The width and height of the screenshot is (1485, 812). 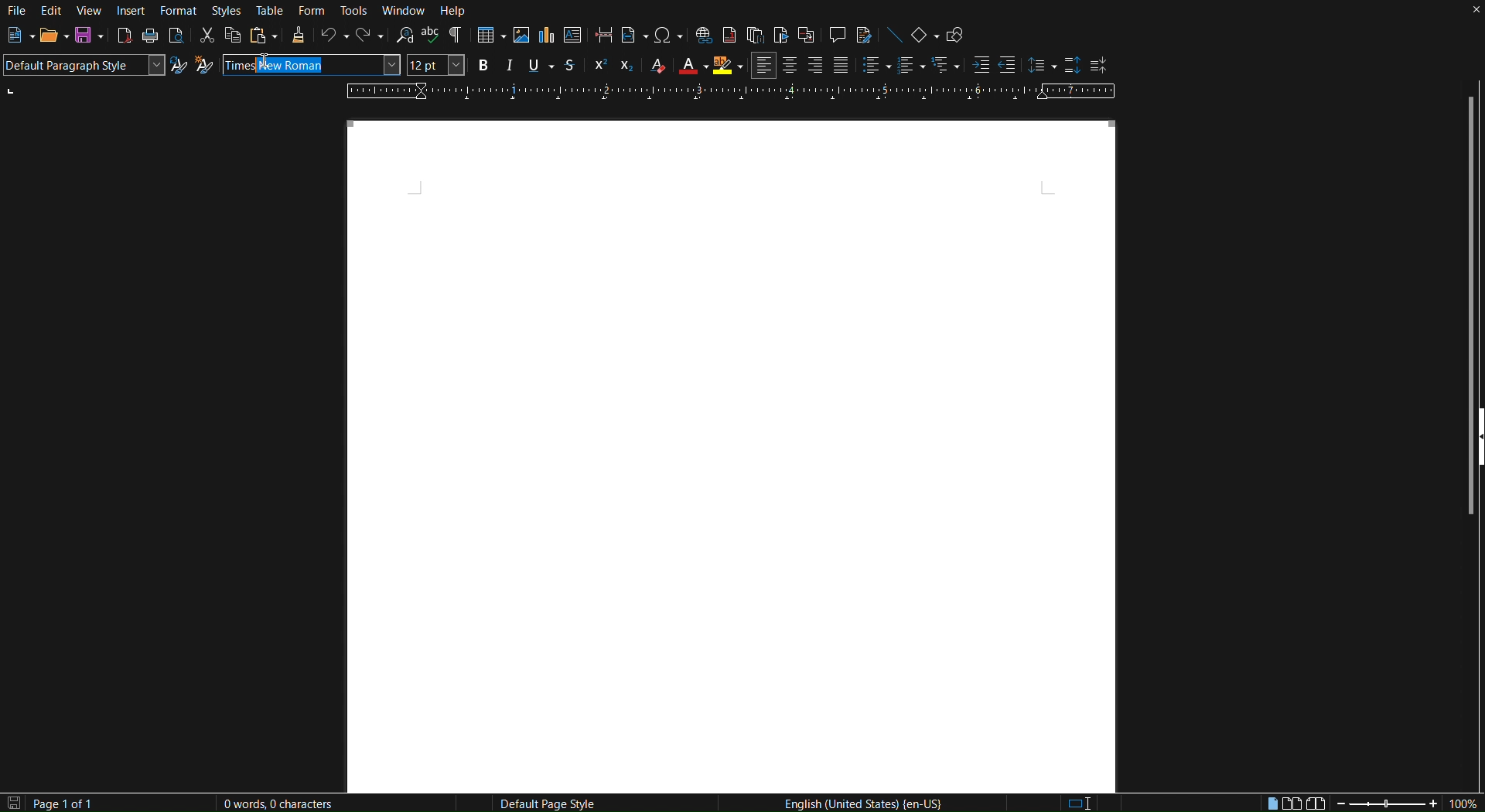 I want to click on Insert Line, so click(x=895, y=38).